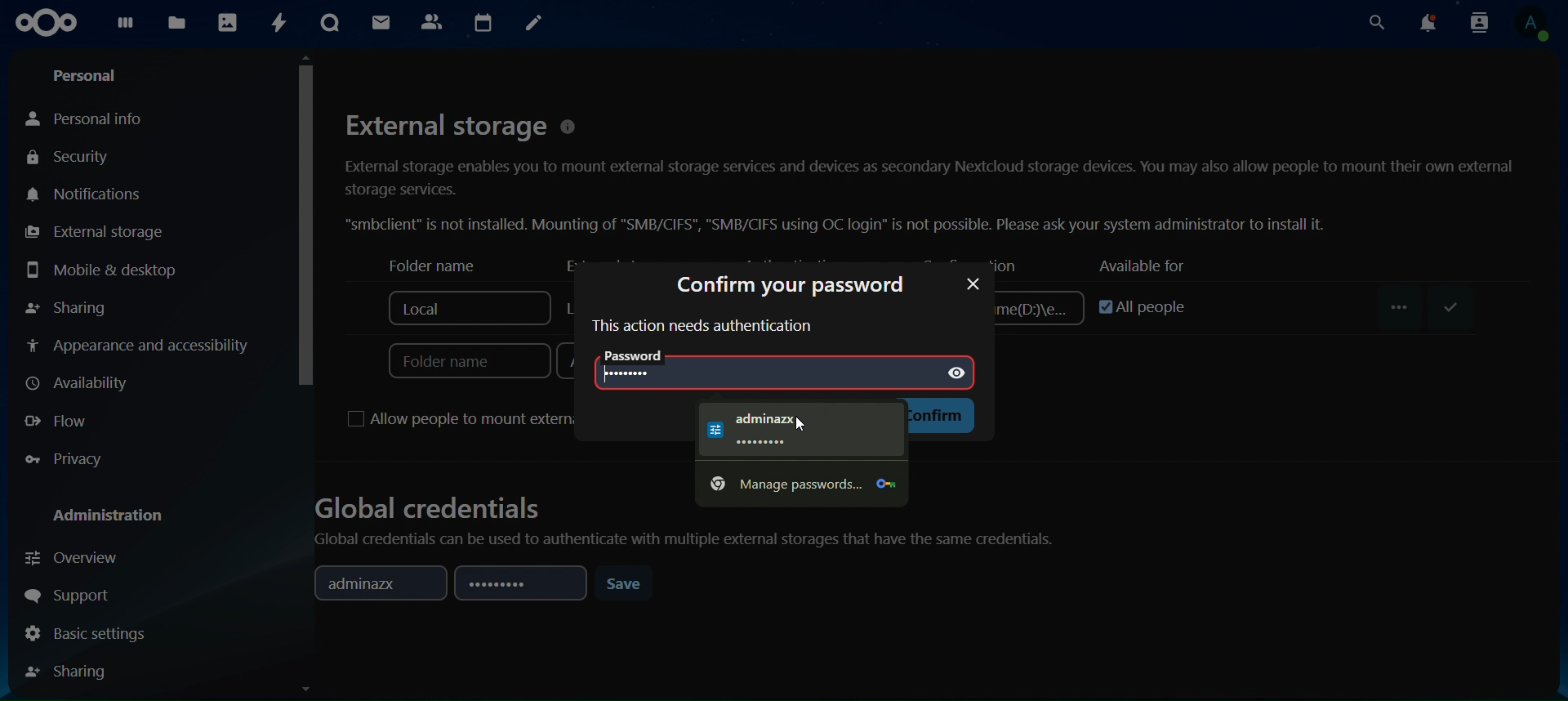 This screenshot has width=1568, height=701. Describe the element at coordinates (1402, 307) in the screenshot. I see `...` at that location.